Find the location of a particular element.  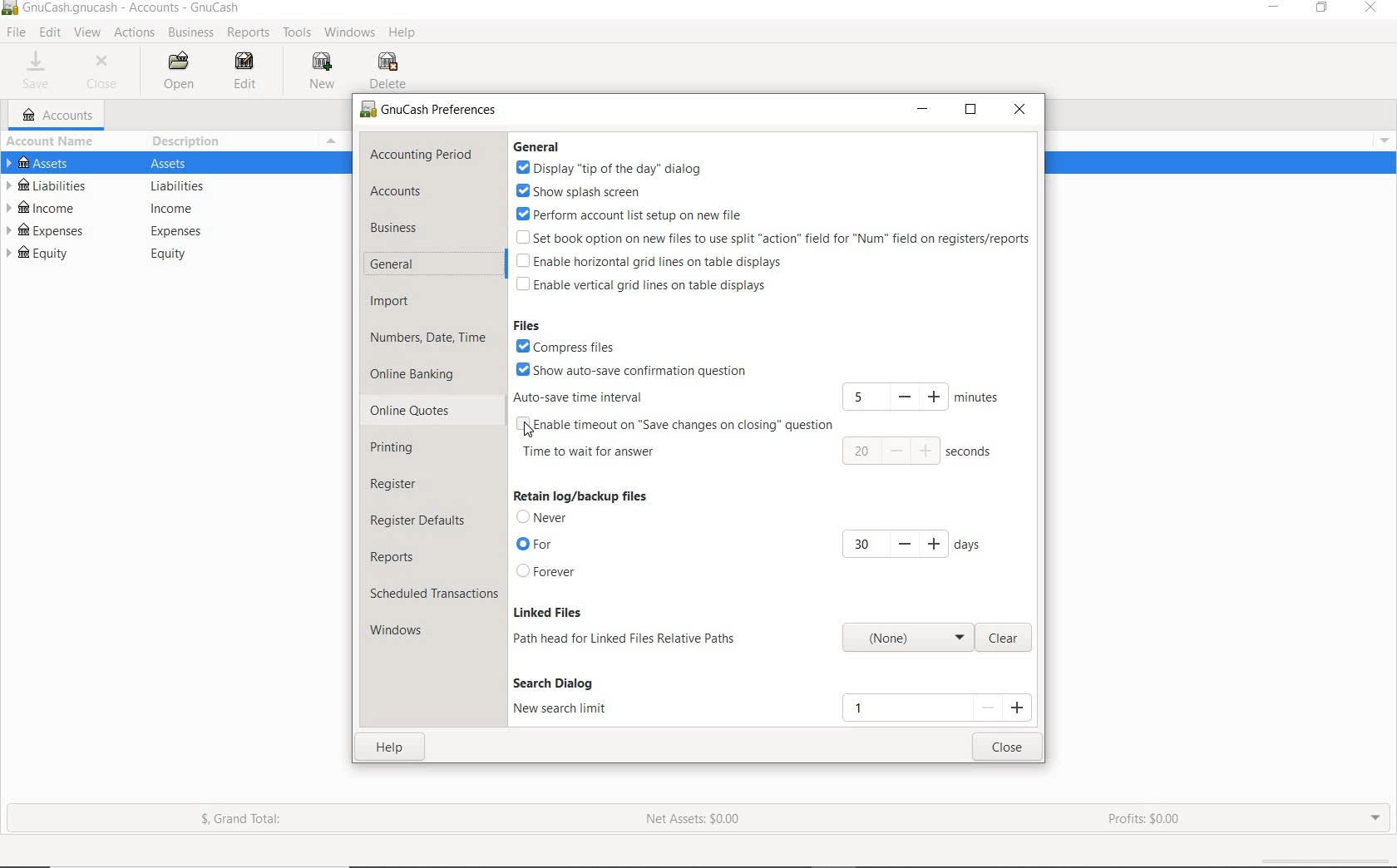

SCHEDULED TRANSACTIONS is located at coordinates (432, 594).